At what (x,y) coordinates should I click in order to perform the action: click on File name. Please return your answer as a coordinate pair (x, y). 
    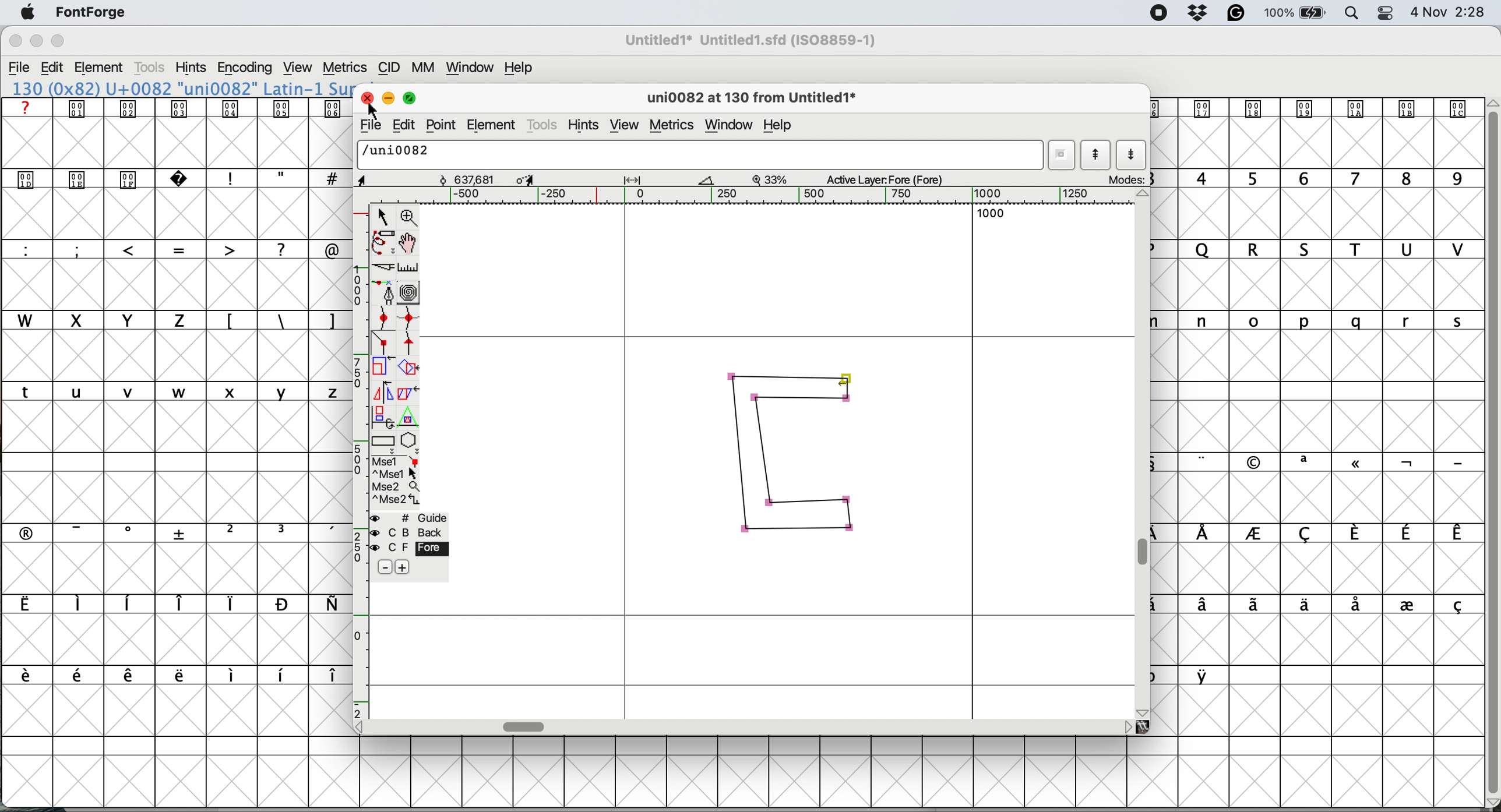
    Looking at the image, I should click on (747, 40).